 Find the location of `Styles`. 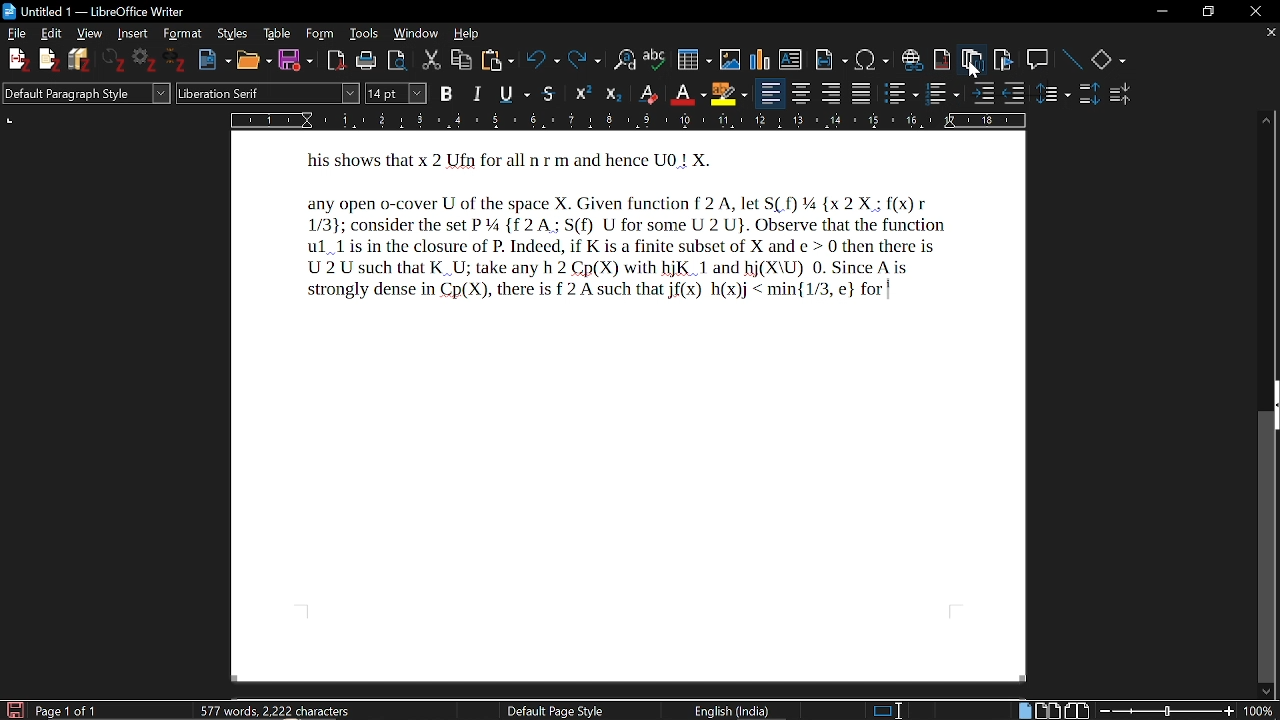

Styles is located at coordinates (233, 33).